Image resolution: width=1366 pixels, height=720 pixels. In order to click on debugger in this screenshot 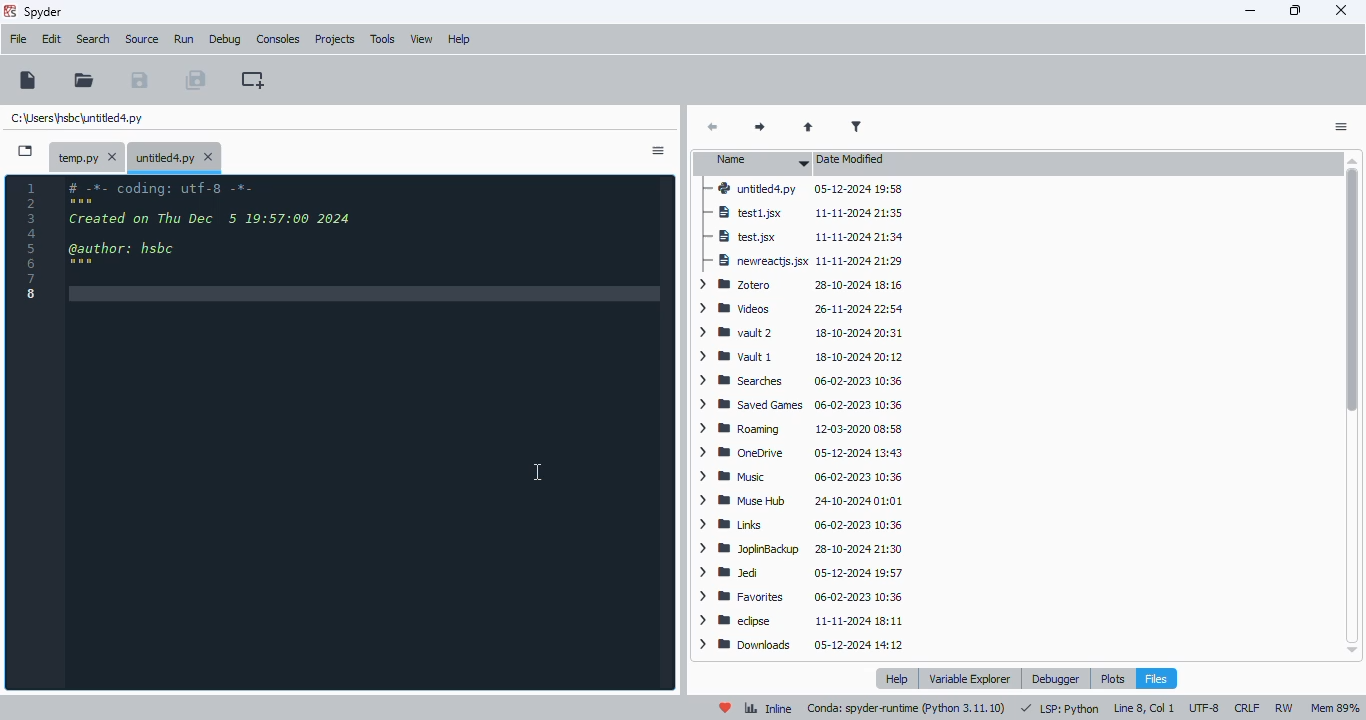, I will do `click(1056, 678)`.